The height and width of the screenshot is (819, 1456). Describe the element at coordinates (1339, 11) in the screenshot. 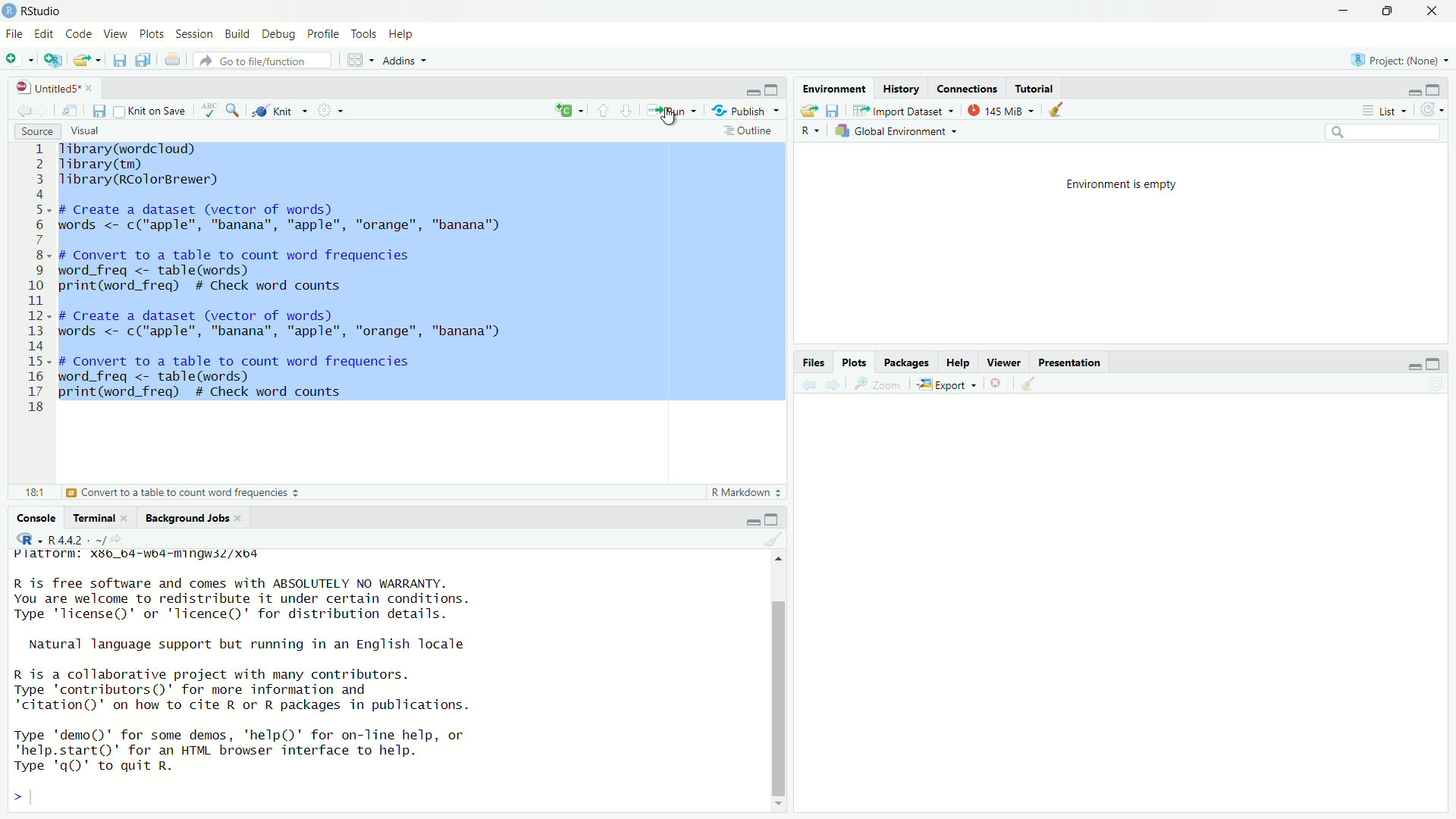

I see `Minimize` at that location.